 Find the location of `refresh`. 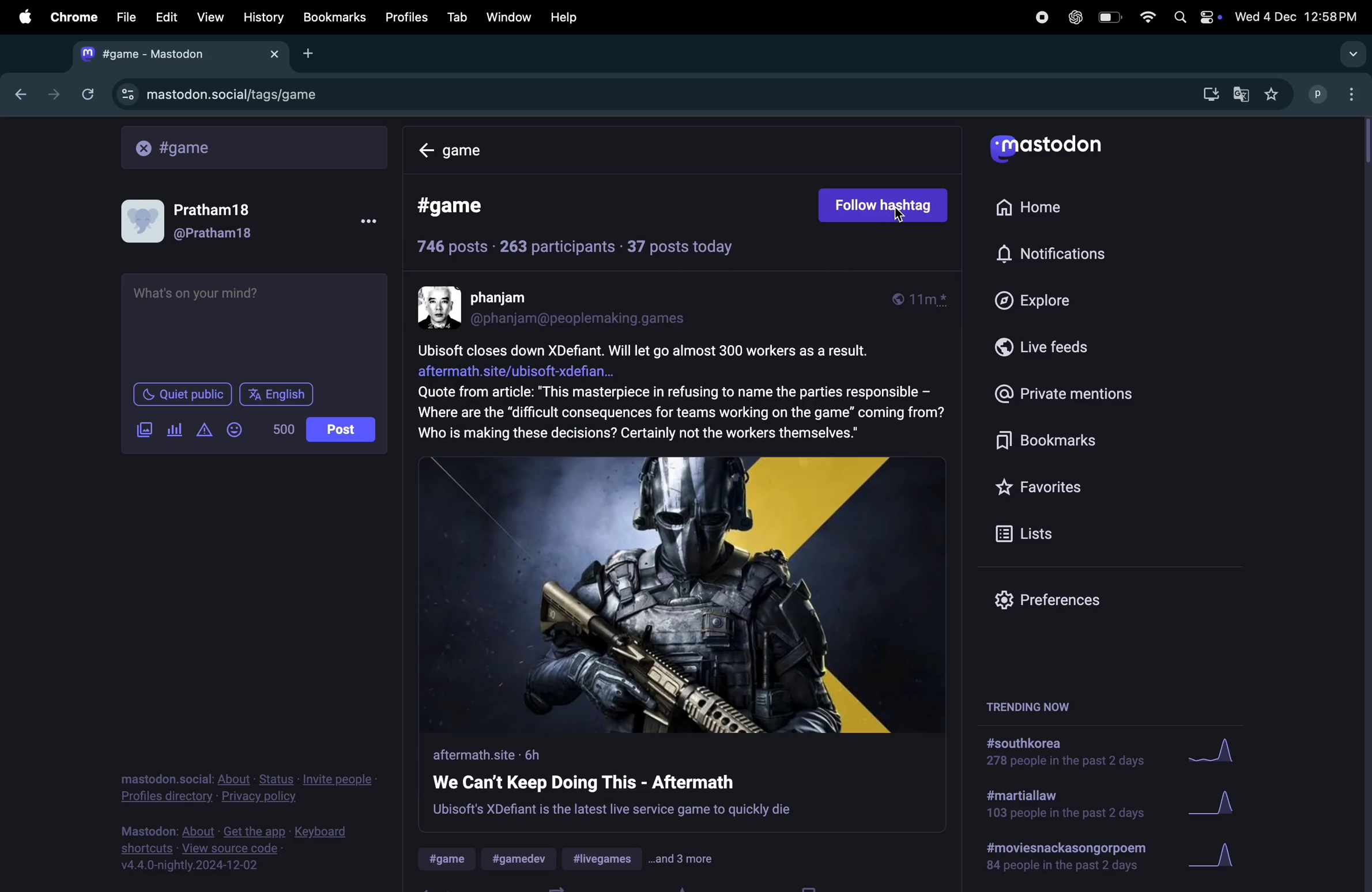

refresh is located at coordinates (86, 94).